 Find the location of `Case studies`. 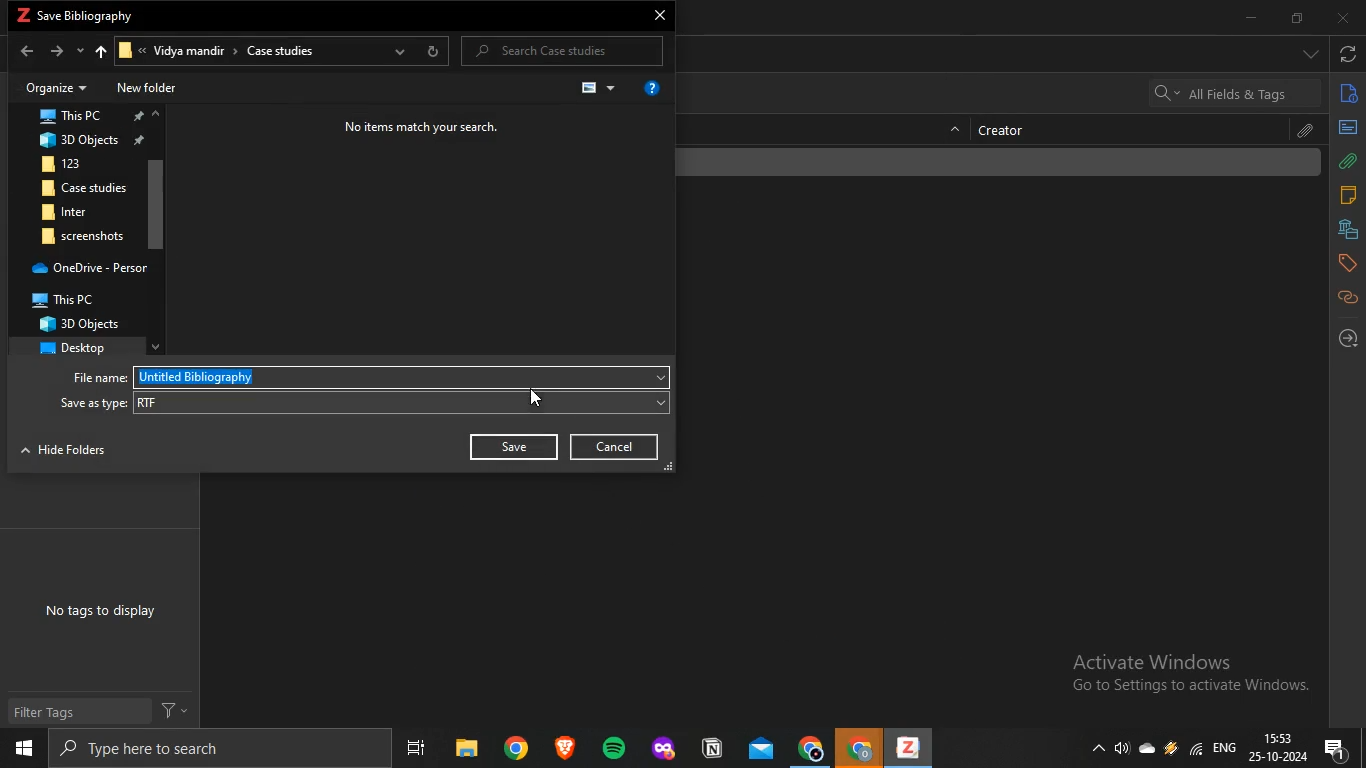

Case studies is located at coordinates (287, 51).